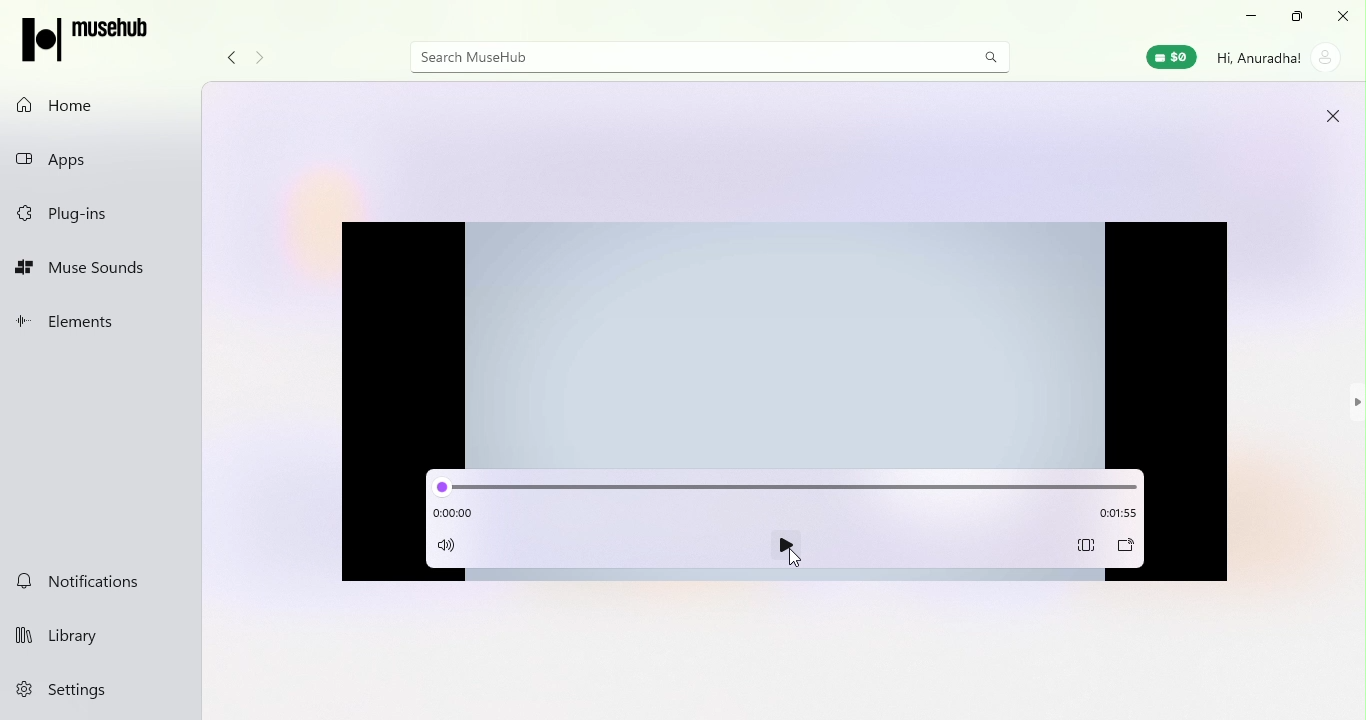 The width and height of the screenshot is (1366, 720). I want to click on Elements, so click(101, 324).